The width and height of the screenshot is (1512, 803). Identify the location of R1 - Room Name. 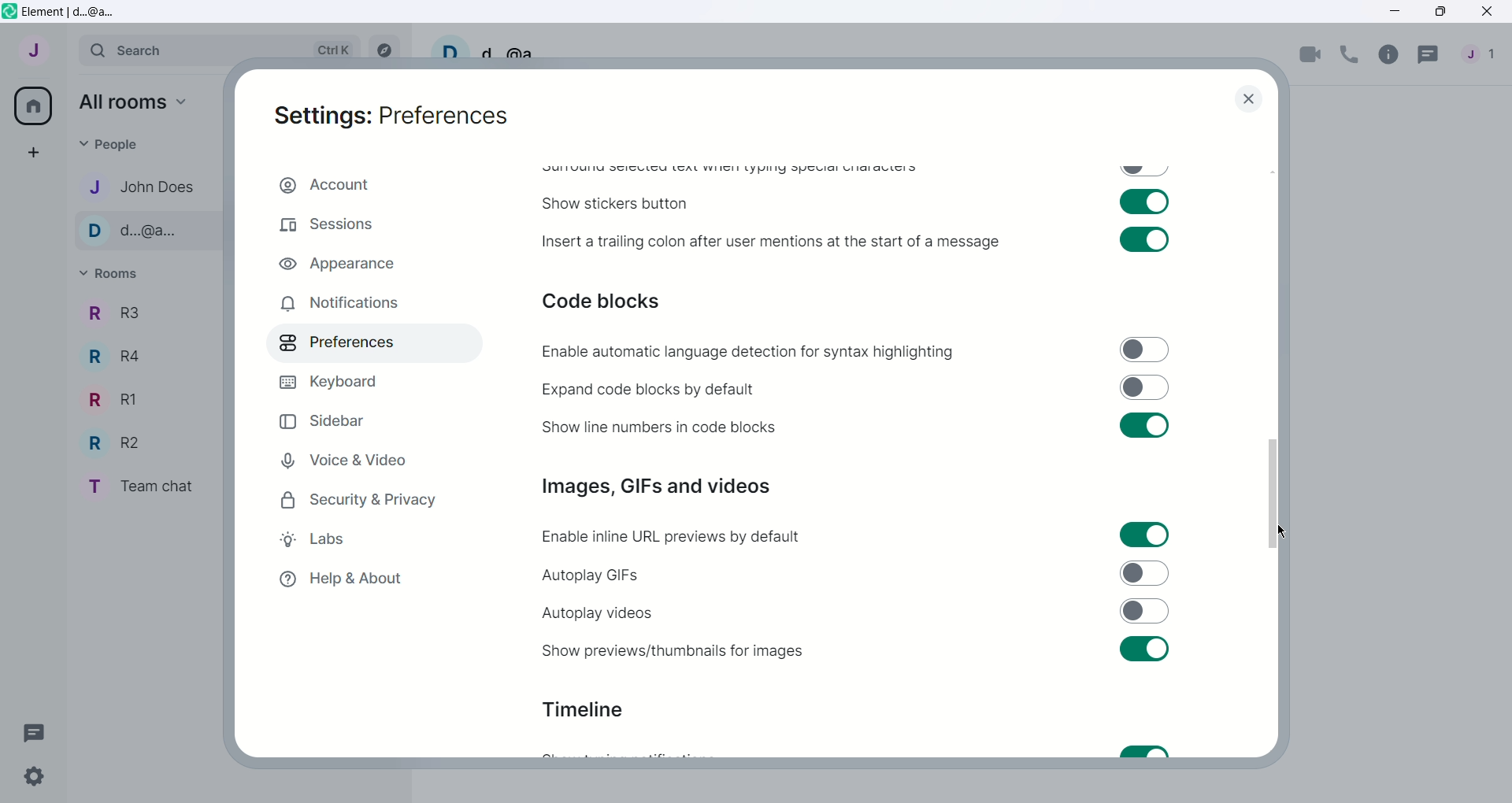
(116, 399).